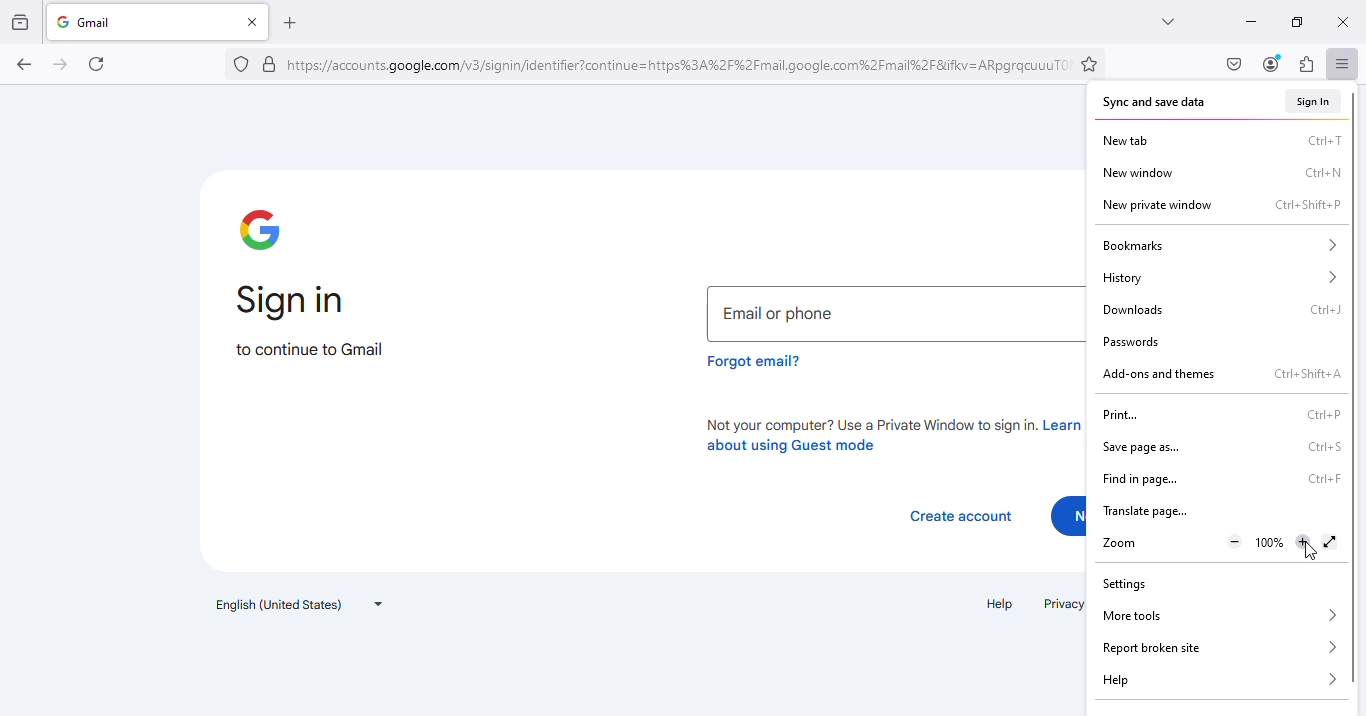 The width and height of the screenshot is (1366, 716). What do you see at coordinates (1141, 480) in the screenshot?
I see `find in page..` at bounding box center [1141, 480].